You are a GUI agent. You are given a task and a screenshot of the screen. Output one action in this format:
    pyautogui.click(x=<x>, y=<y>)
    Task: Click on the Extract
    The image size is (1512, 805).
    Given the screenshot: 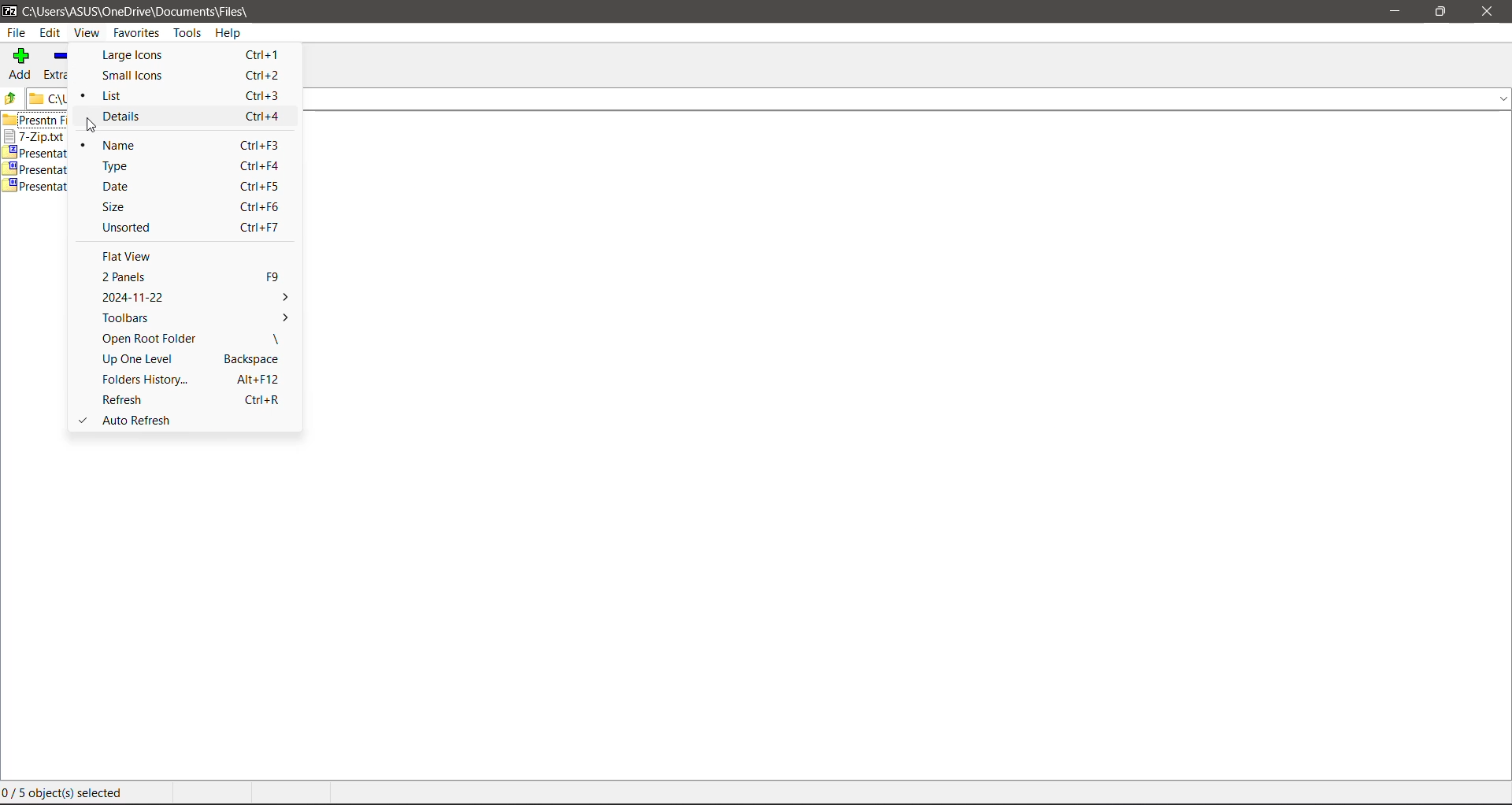 What is the action you would take?
    pyautogui.click(x=62, y=65)
    